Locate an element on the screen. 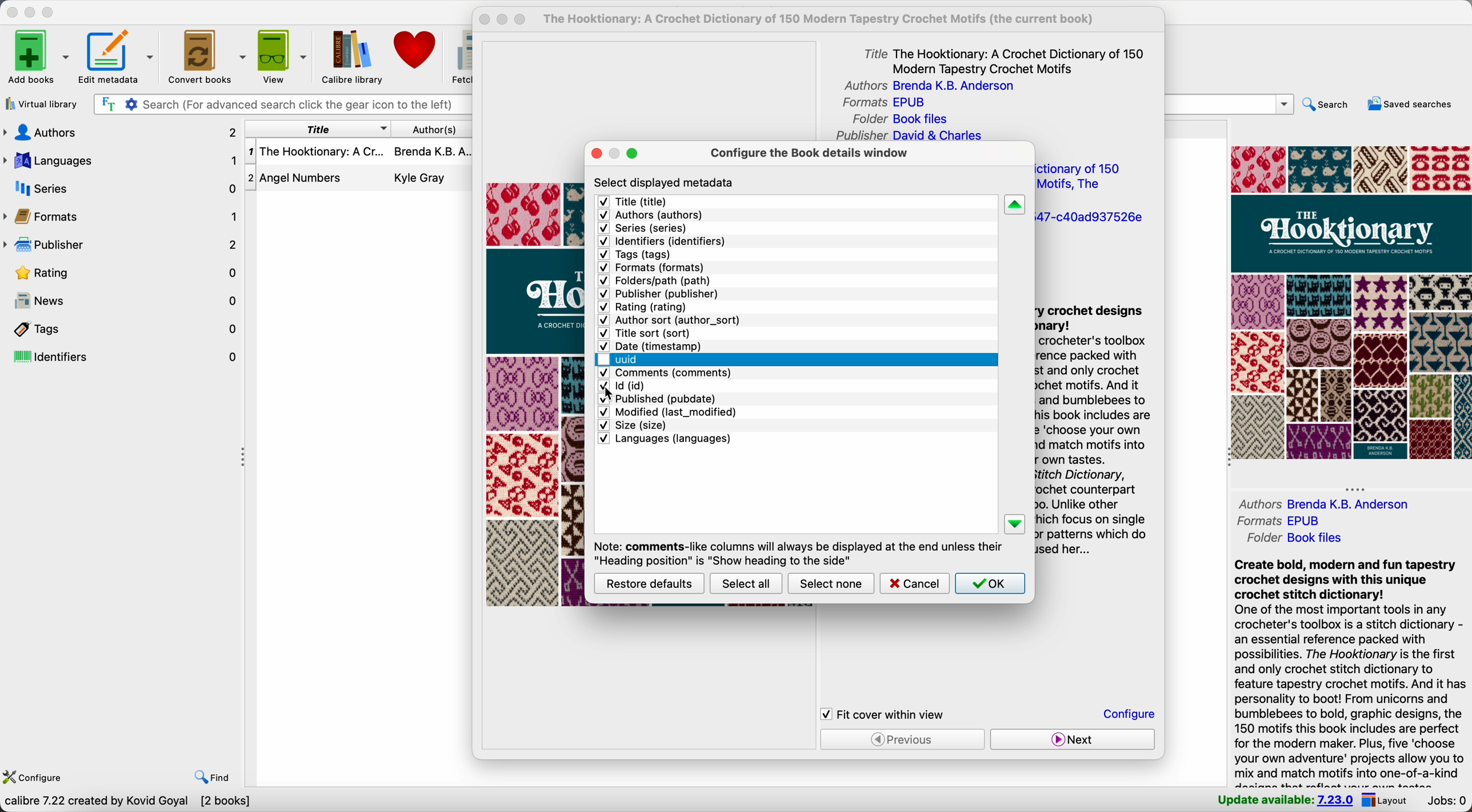  tags is located at coordinates (122, 329).